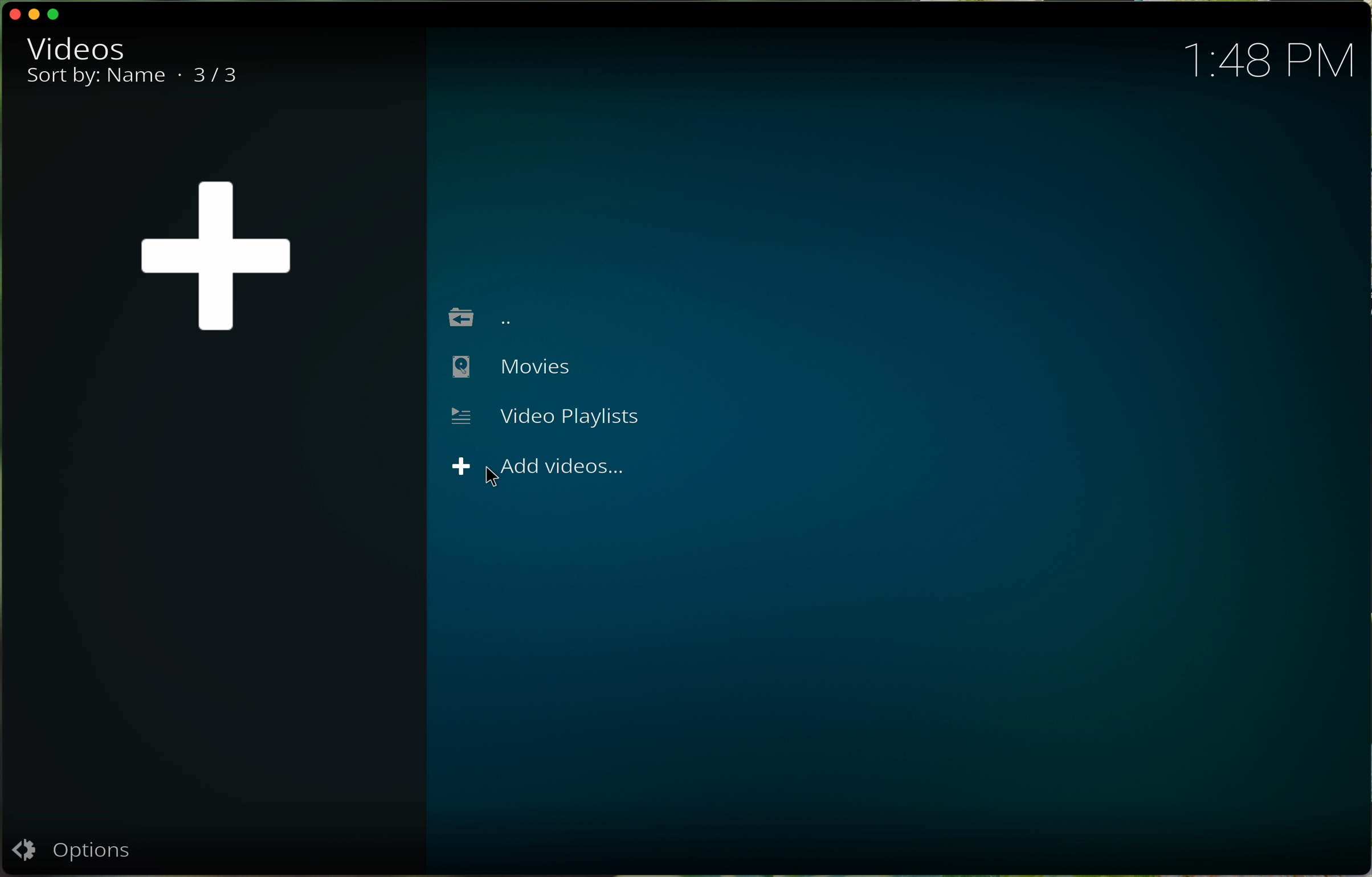 The image size is (1372, 877). What do you see at coordinates (57, 15) in the screenshot?
I see `maximise` at bounding box center [57, 15].